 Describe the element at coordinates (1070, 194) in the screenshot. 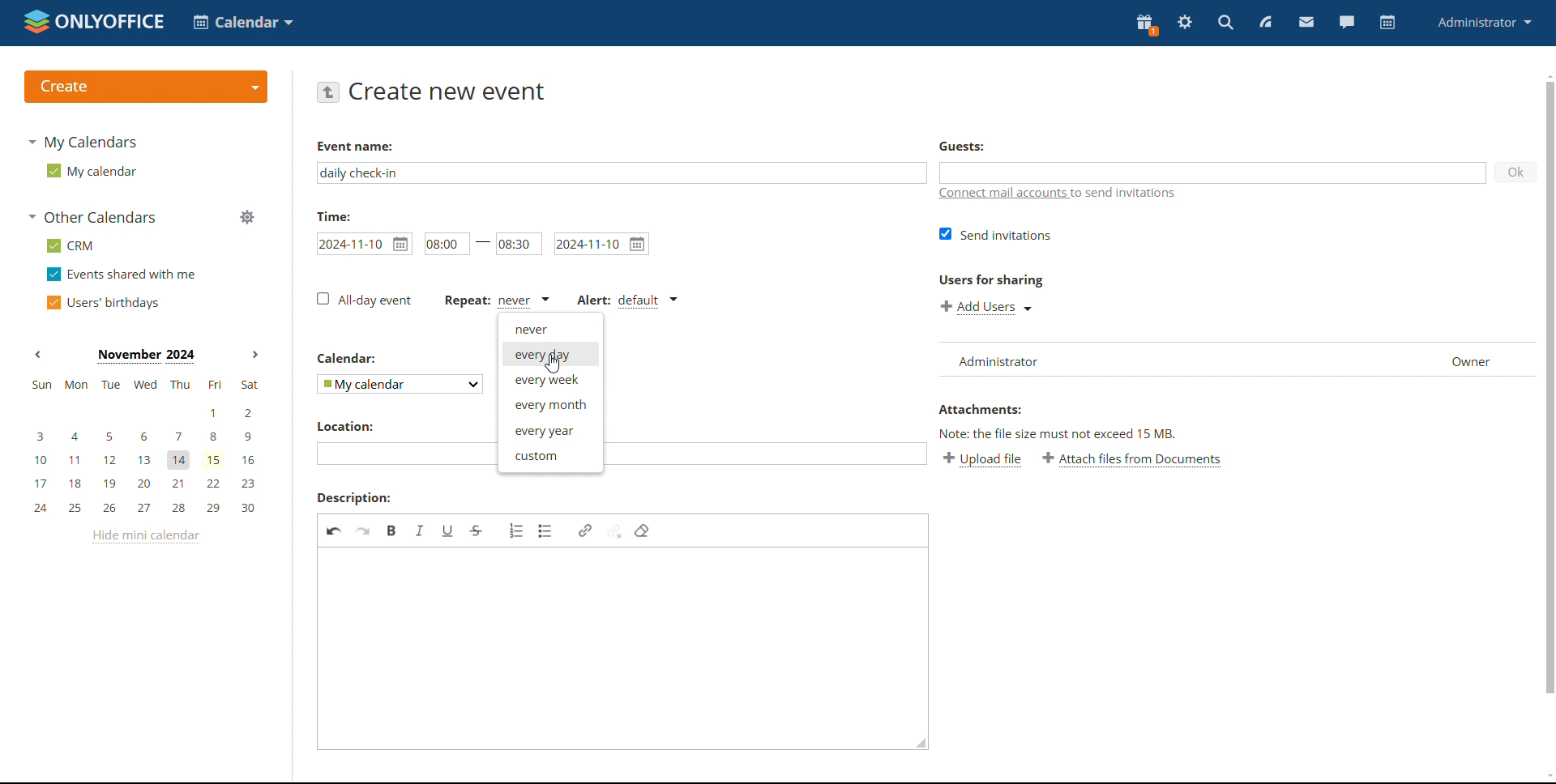

I see `connect mail accounts ` at that location.